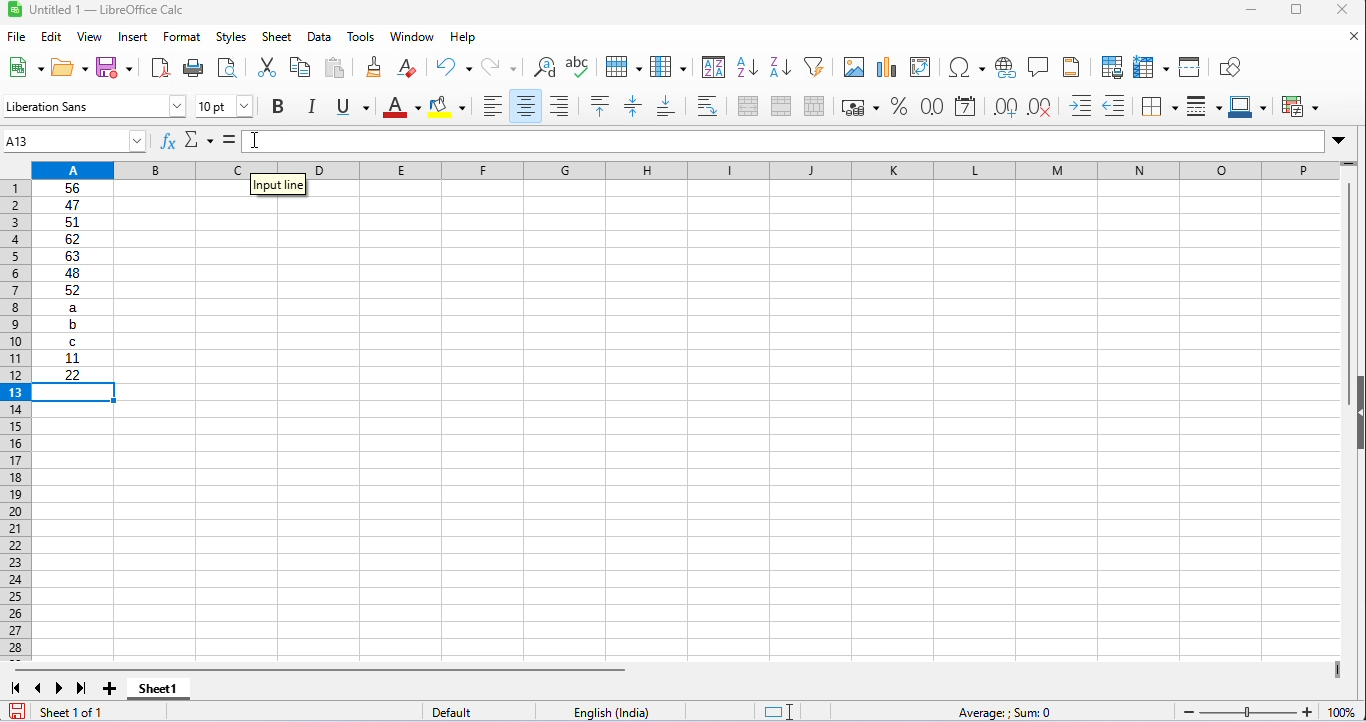 This screenshot has width=1366, height=722. Describe the element at coordinates (611, 712) in the screenshot. I see `English (India)` at that location.